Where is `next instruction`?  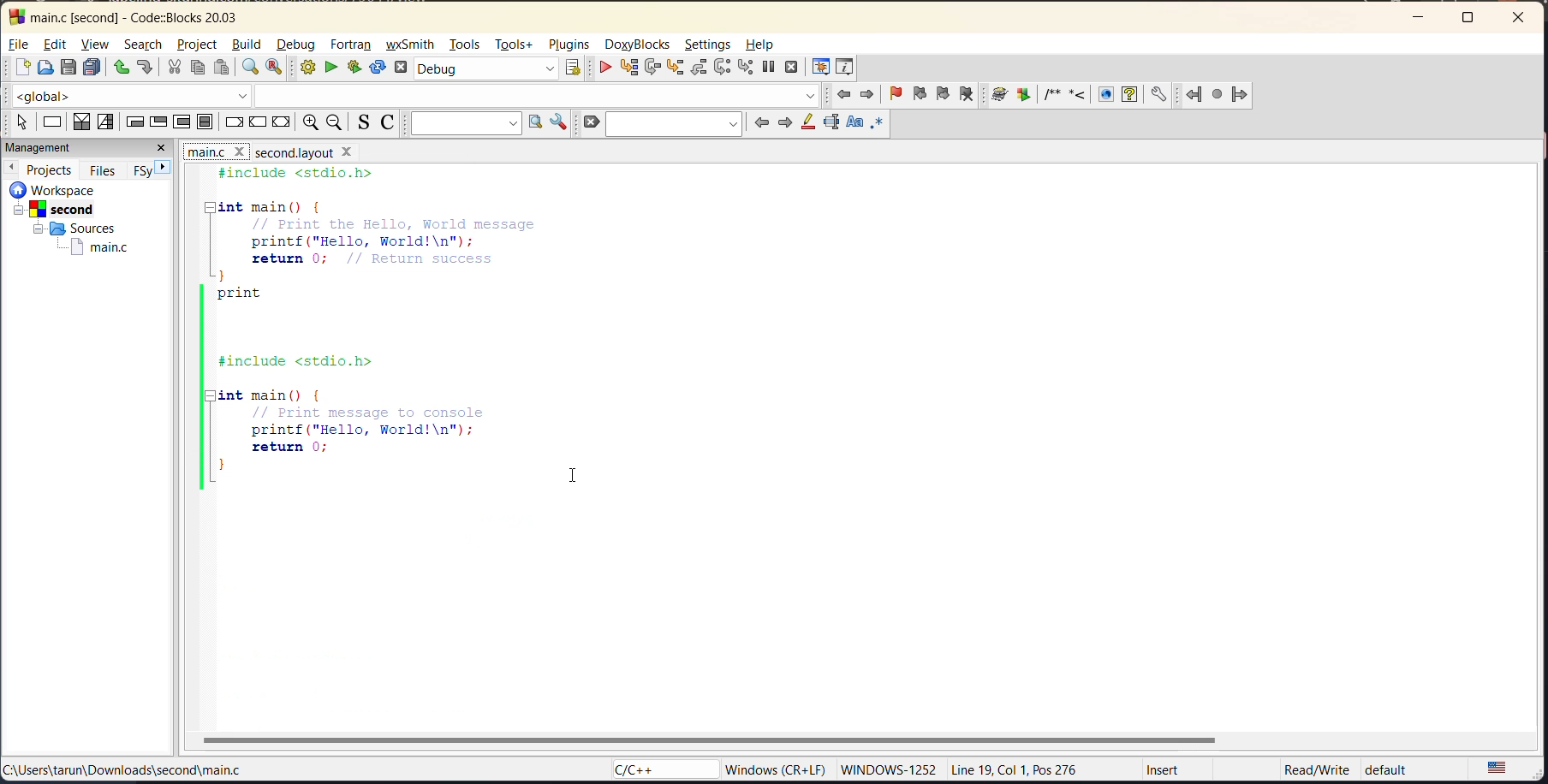
next instruction is located at coordinates (723, 68).